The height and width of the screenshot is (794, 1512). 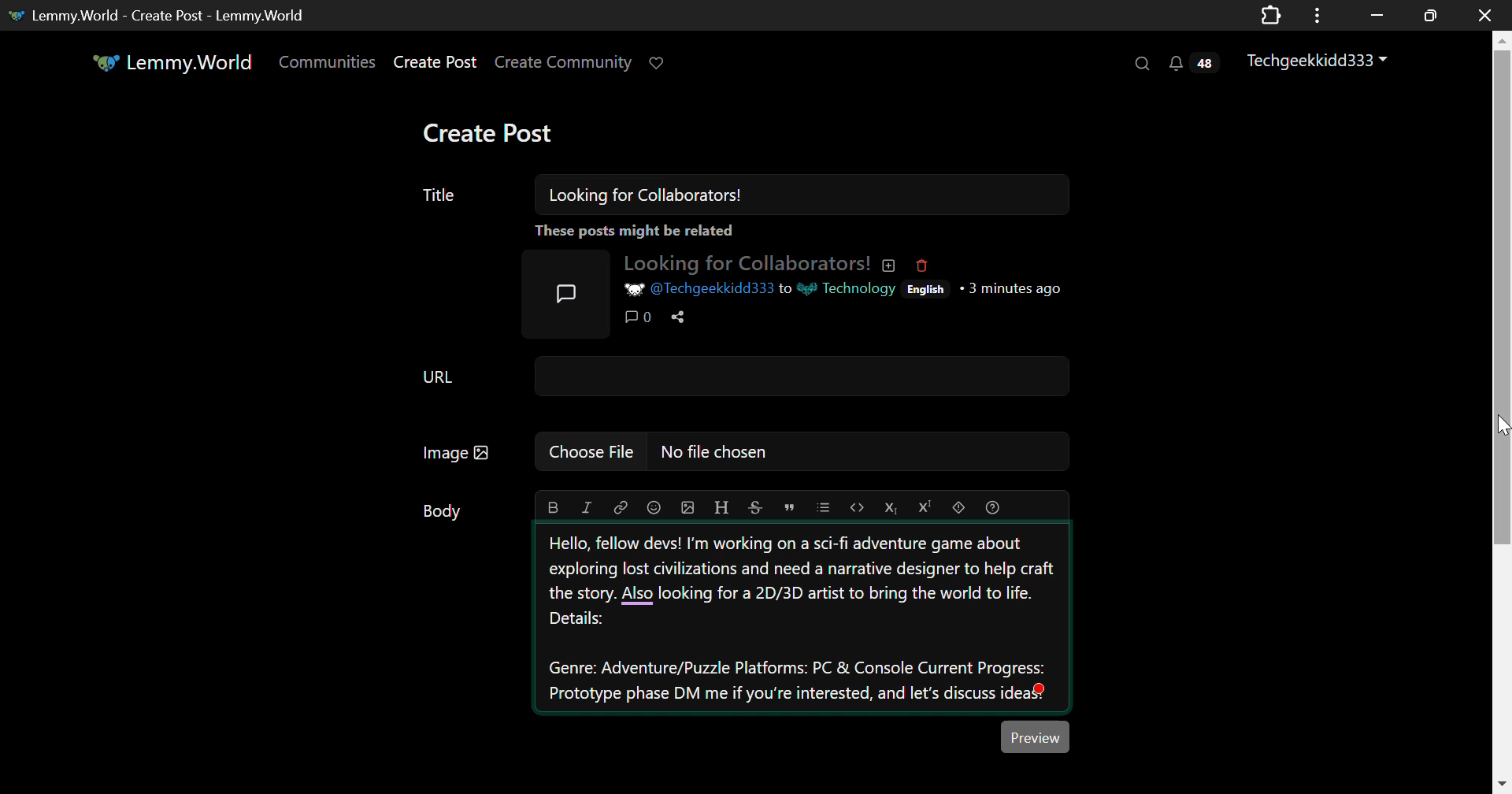 What do you see at coordinates (689, 508) in the screenshot?
I see `upload image` at bounding box center [689, 508].